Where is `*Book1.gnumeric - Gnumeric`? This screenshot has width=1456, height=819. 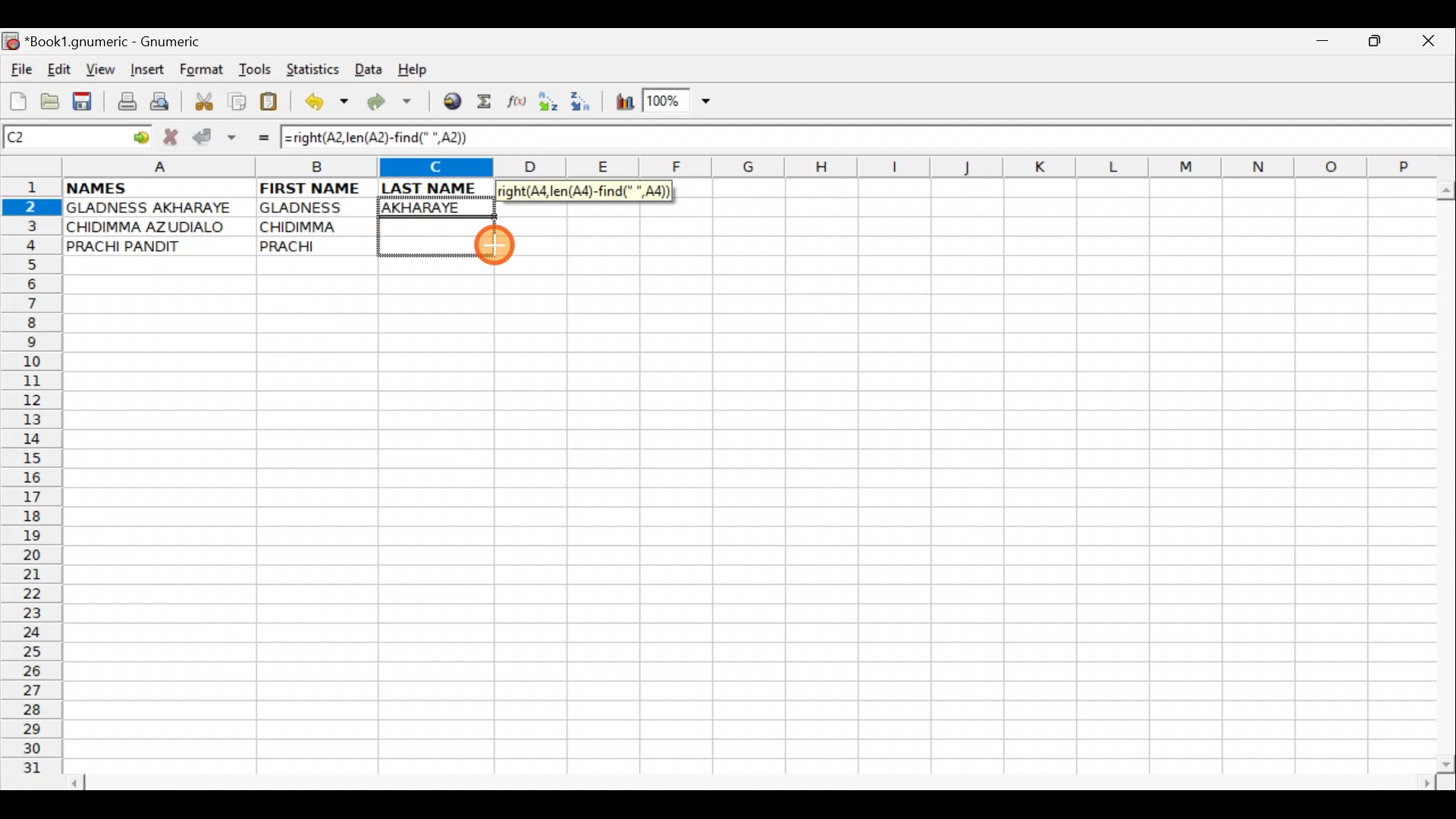
*Book1.gnumeric - Gnumeric is located at coordinates (127, 42).